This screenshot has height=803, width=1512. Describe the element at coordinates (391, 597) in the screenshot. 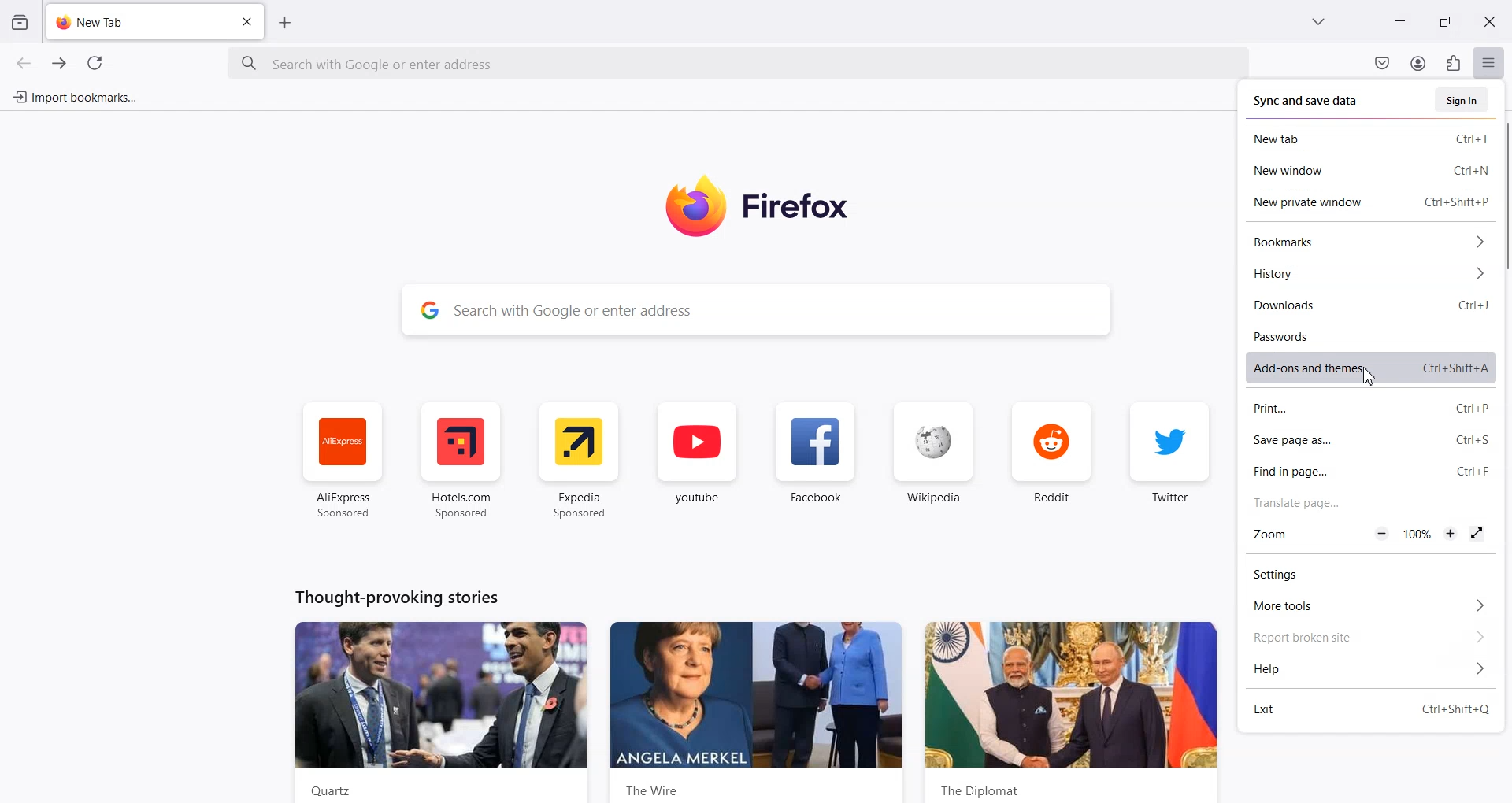

I see `Text` at that location.